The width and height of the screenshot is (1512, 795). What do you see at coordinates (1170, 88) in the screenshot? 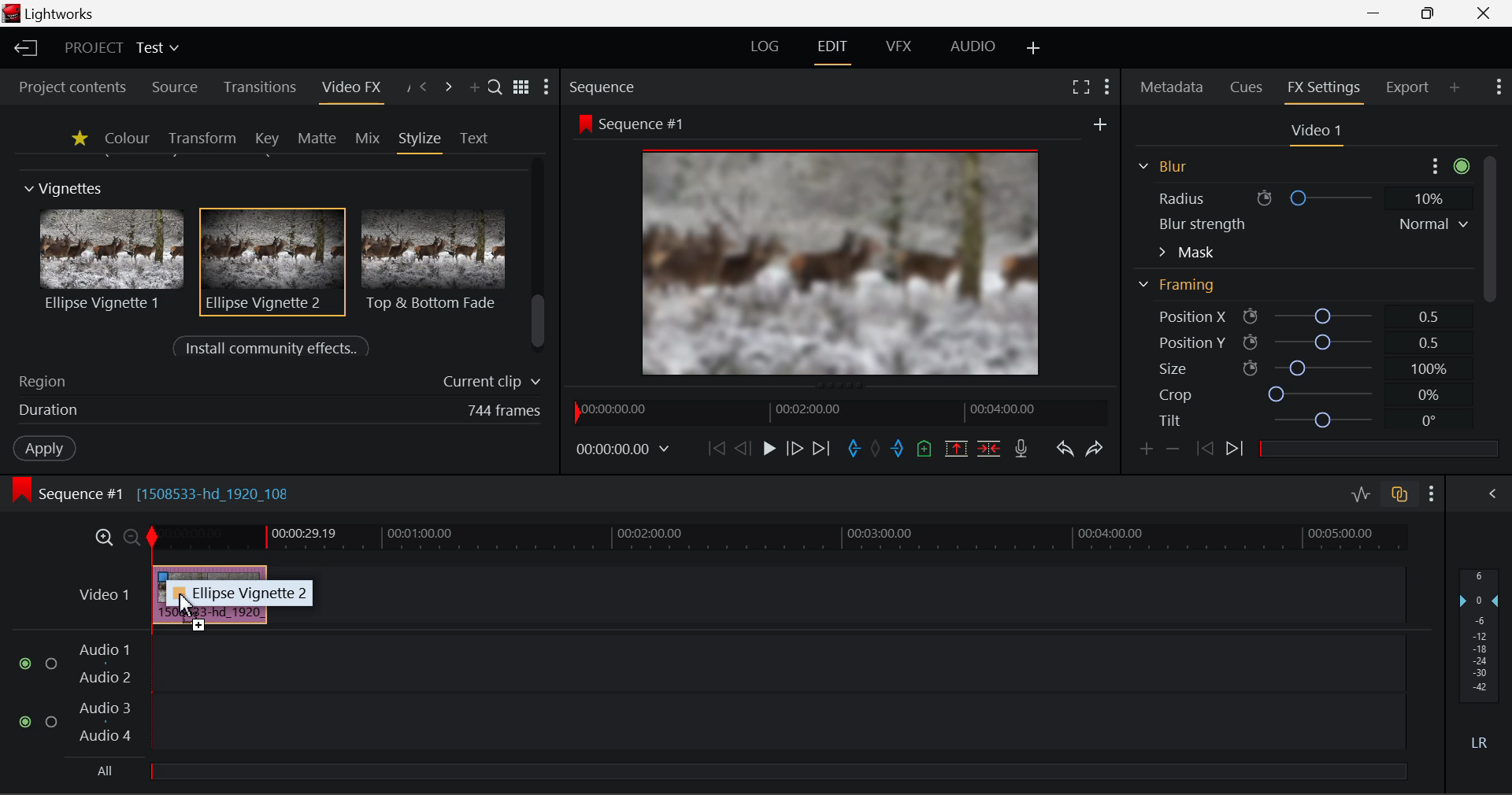
I see `Metadata Panel` at bounding box center [1170, 88].